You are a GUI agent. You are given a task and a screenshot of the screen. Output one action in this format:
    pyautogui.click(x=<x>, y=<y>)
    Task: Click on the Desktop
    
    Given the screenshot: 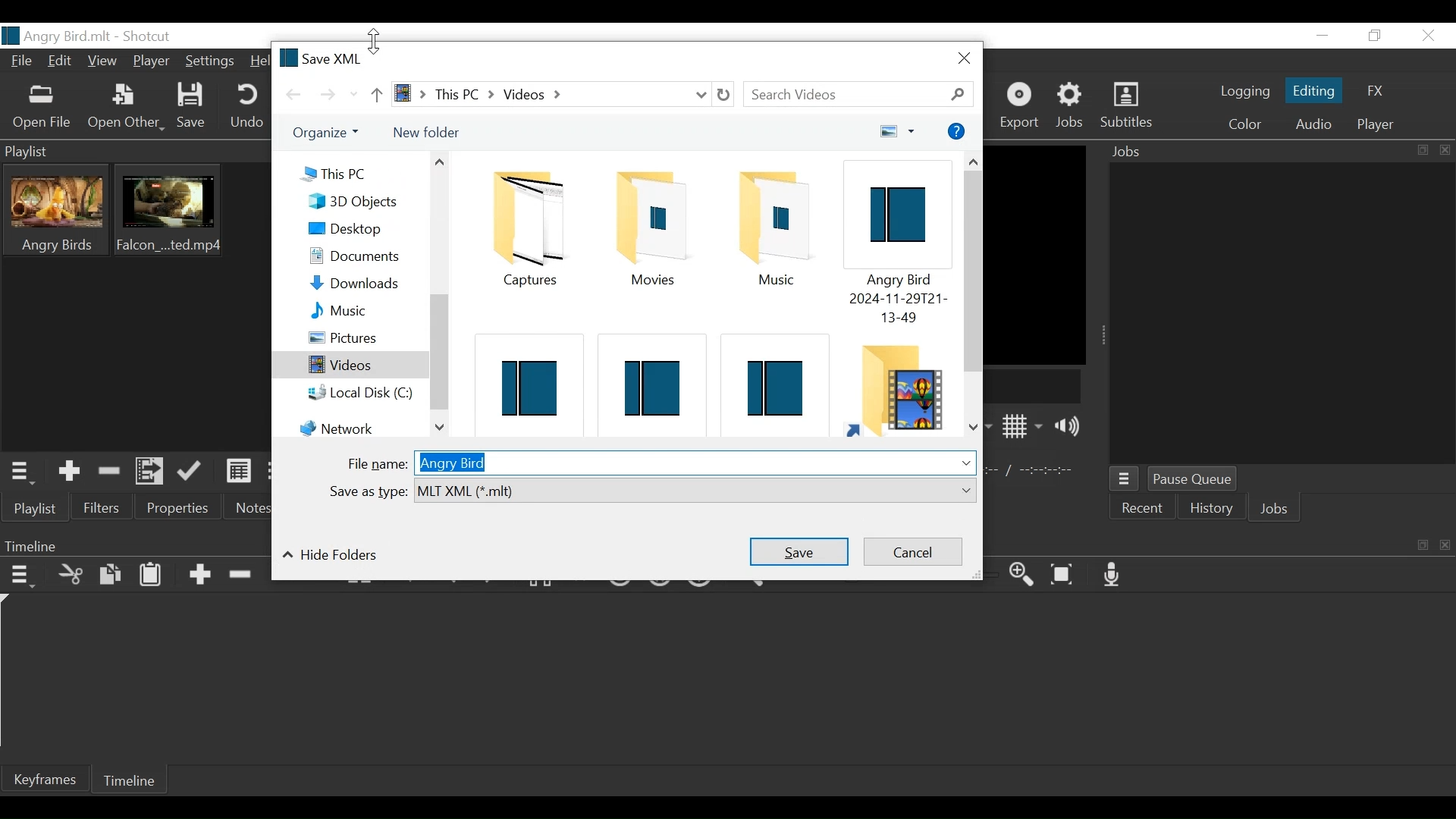 What is the action you would take?
    pyautogui.click(x=362, y=228)
    